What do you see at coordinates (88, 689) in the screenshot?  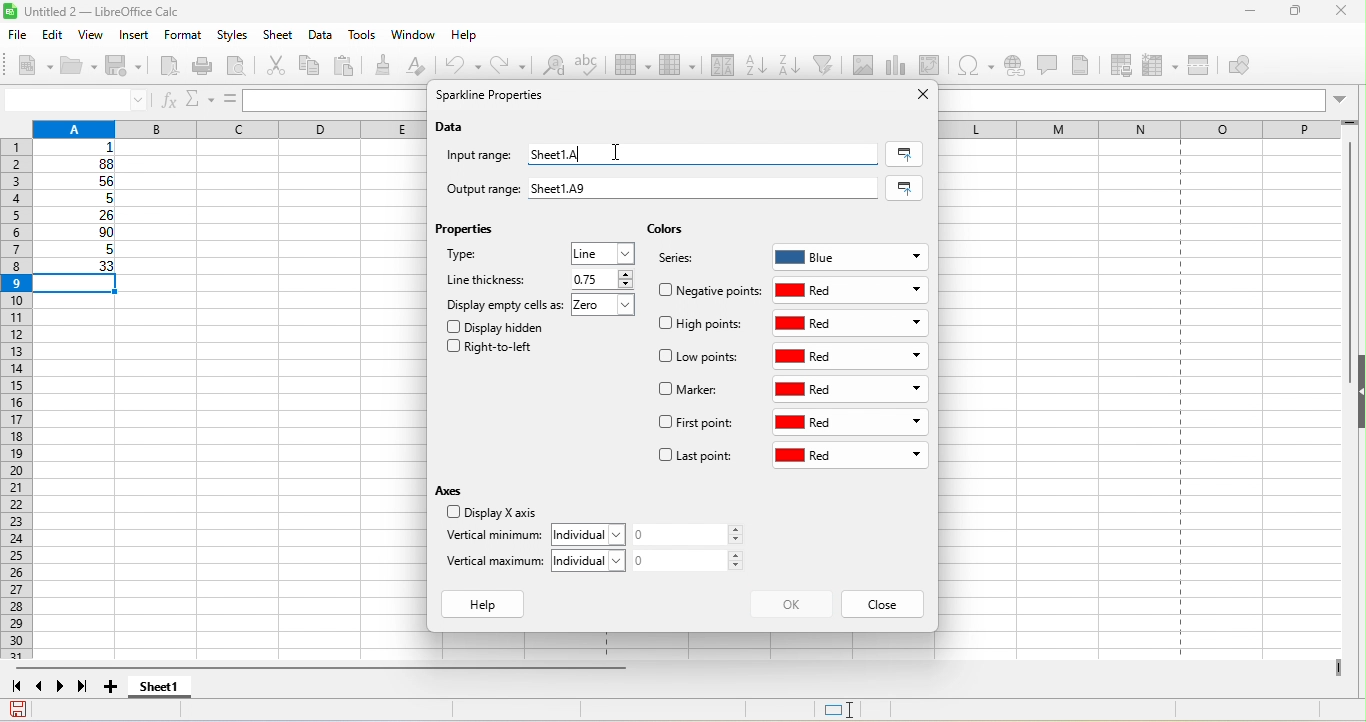 I see `scroll to last sheet` at bounding box center [88, 689].